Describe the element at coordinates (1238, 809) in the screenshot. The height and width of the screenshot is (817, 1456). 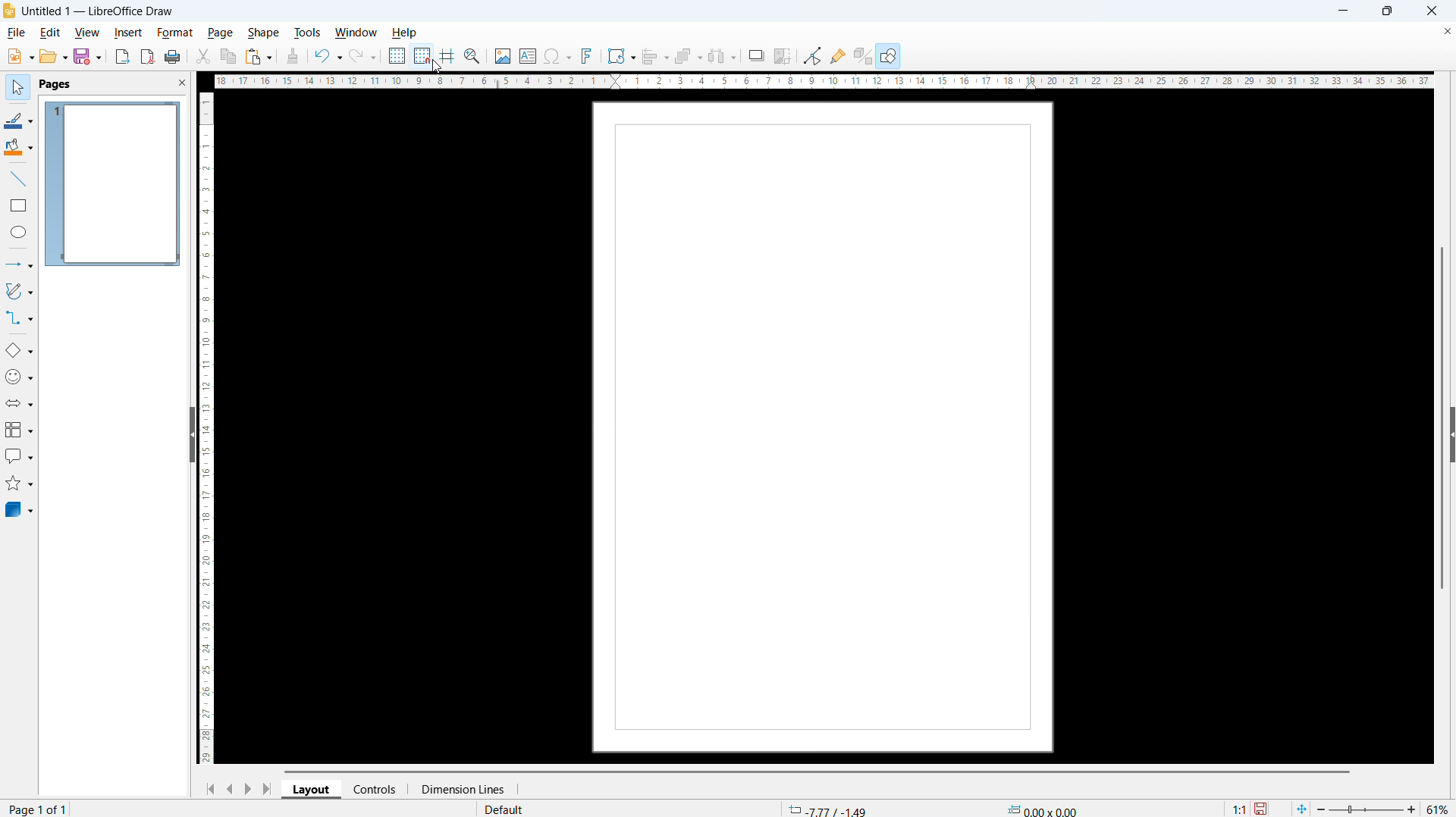
I see `Scaling factor ` at that location.